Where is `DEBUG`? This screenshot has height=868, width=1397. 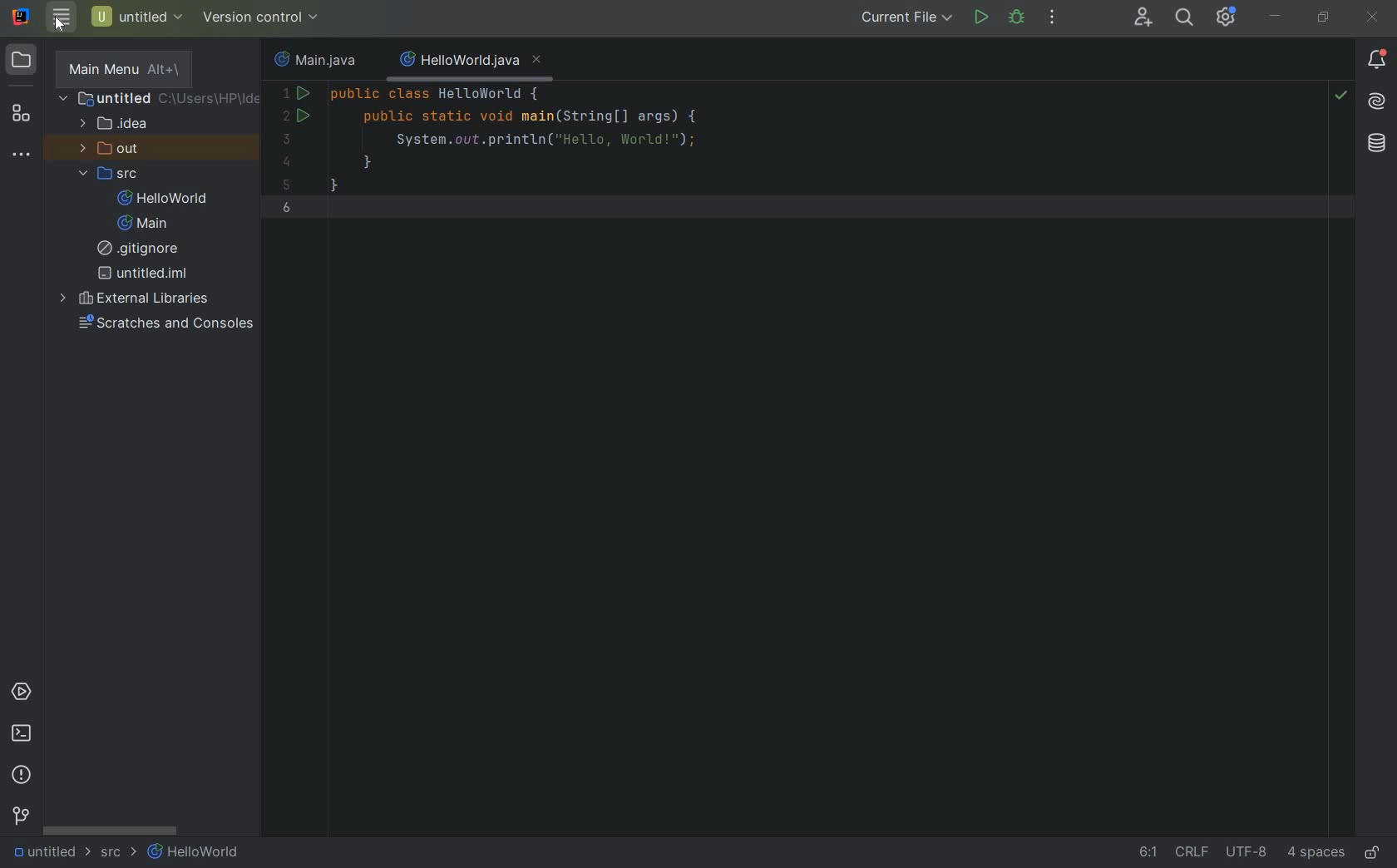
DEBUG is located at coordinates (1018, 17).